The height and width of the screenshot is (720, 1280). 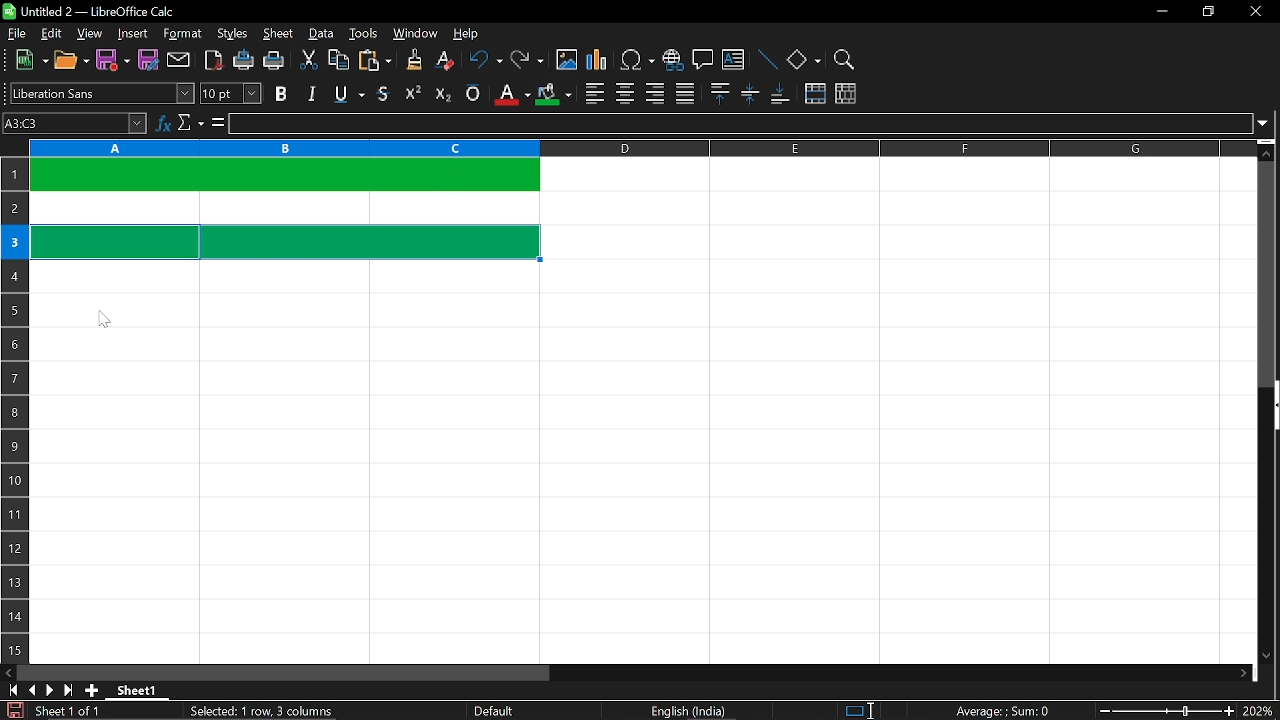 What do you see at coordinates (88, 34) in the screenshot?
I see `view` at bounding box center [88, 34].